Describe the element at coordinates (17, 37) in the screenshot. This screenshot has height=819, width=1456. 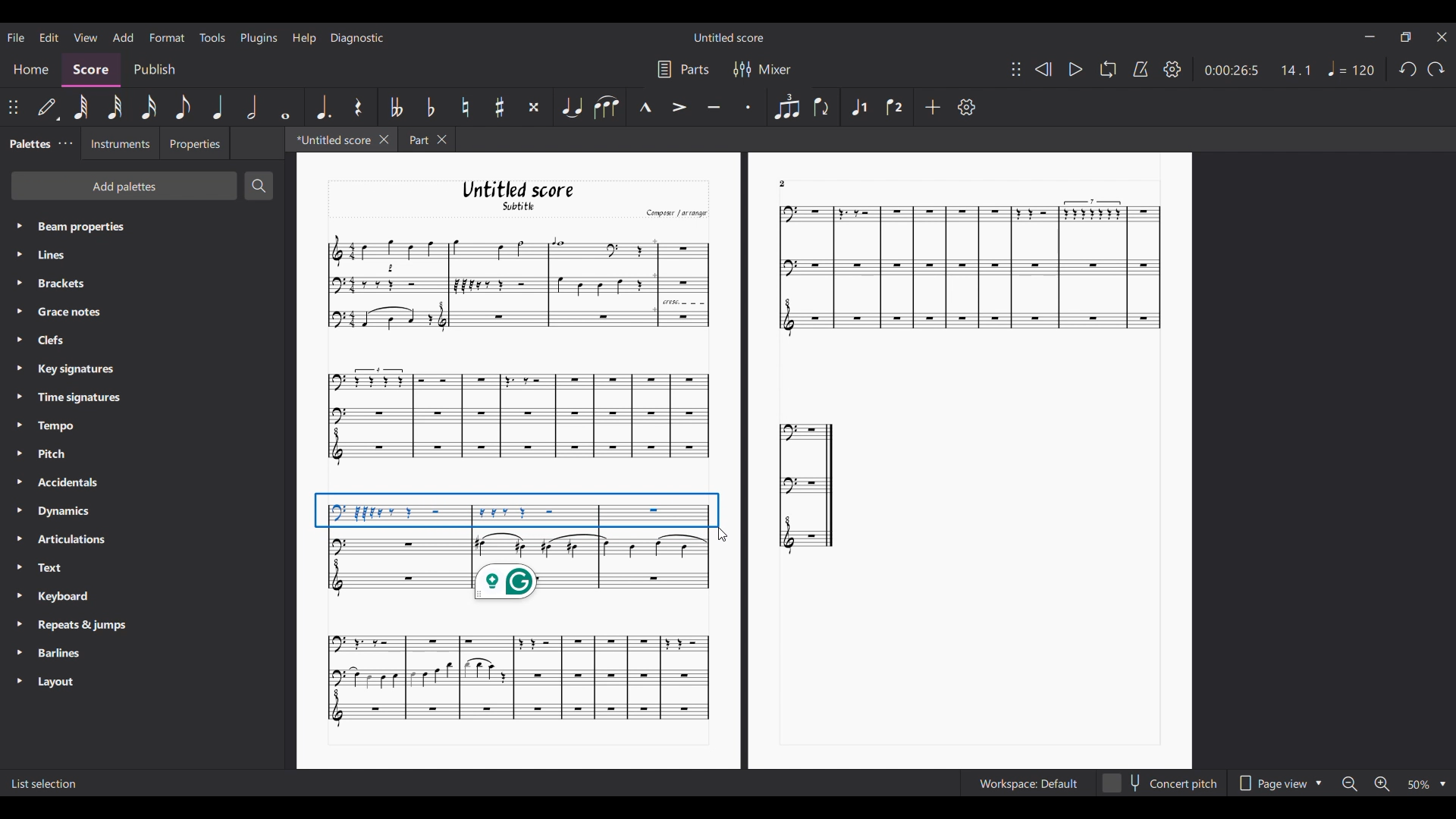
I see `File menu` at that location.